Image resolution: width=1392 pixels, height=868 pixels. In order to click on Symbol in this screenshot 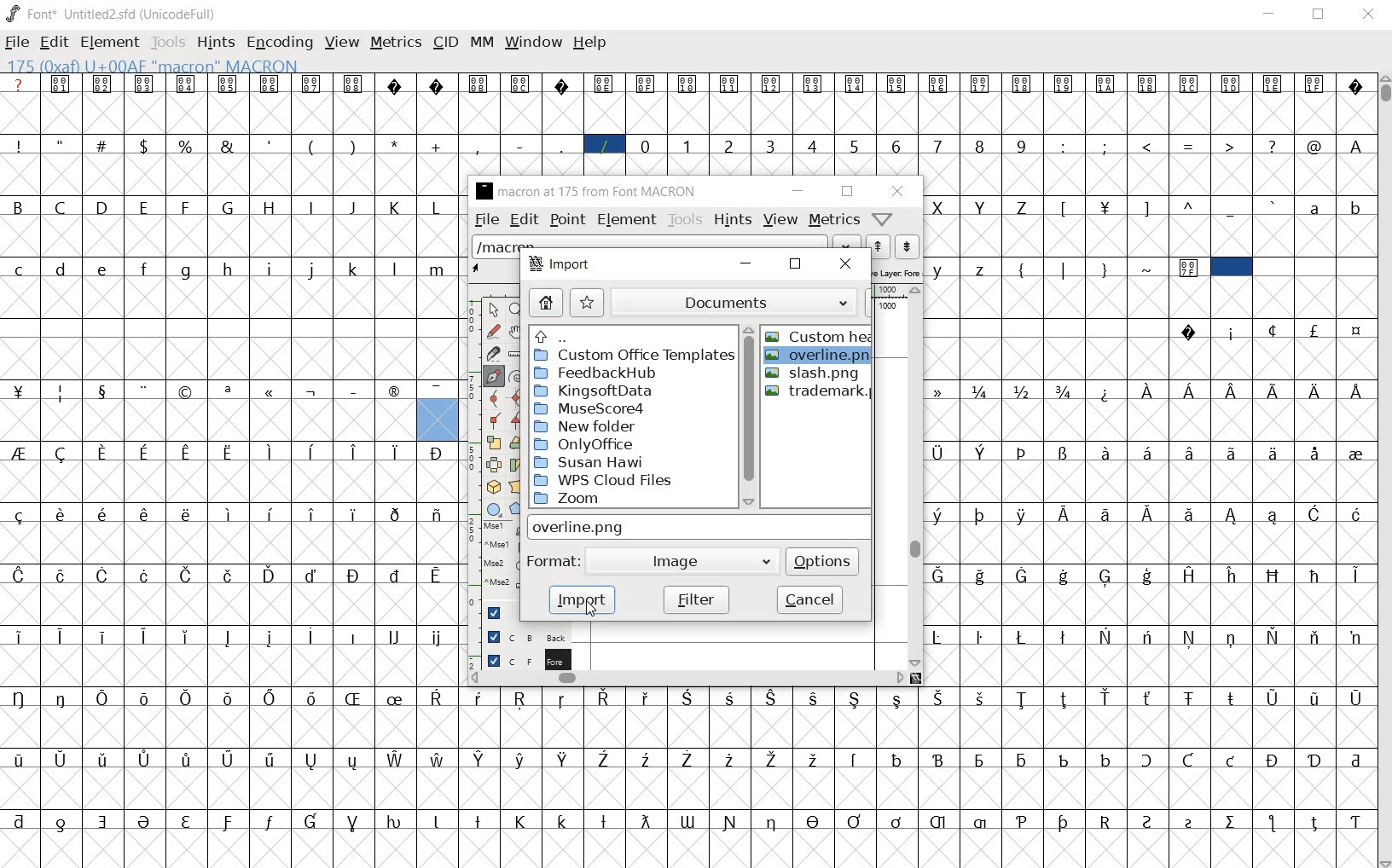, I will do `click(1273, 823)`.